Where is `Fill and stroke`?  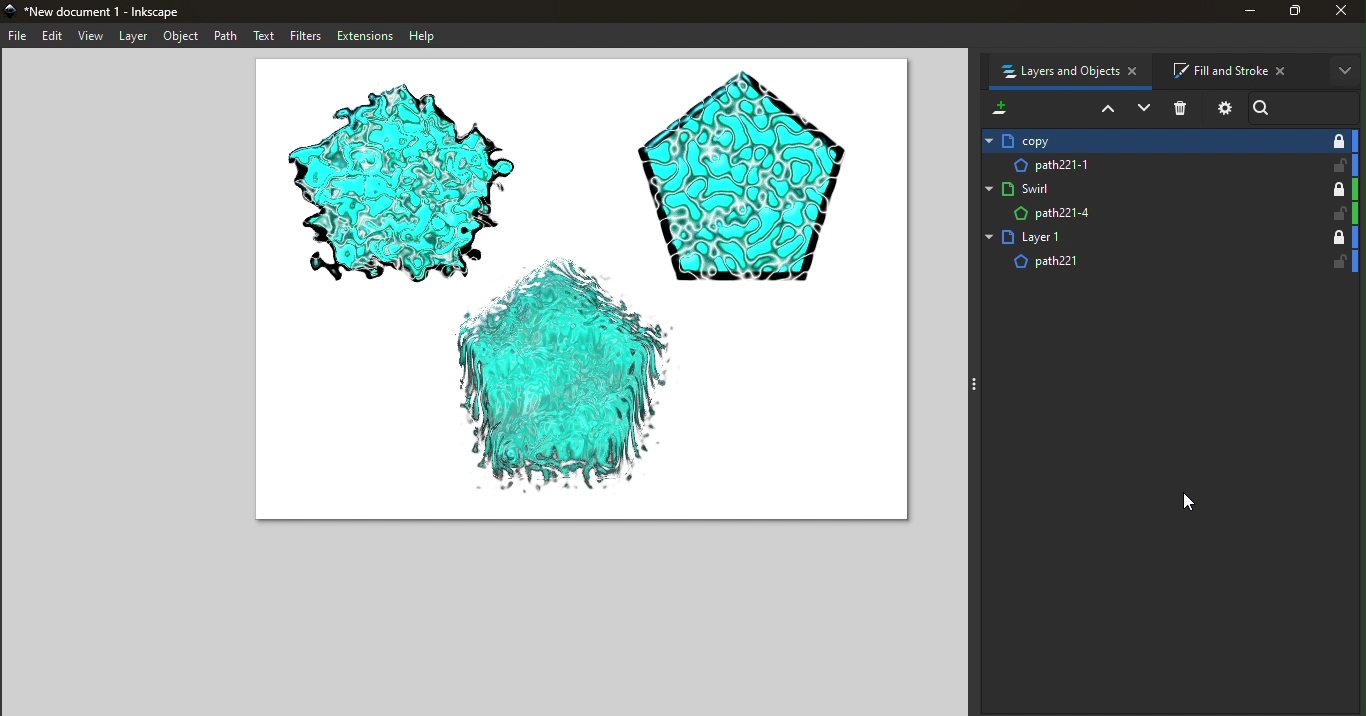 Fill and stroke is located at coordinates (1237, 69).